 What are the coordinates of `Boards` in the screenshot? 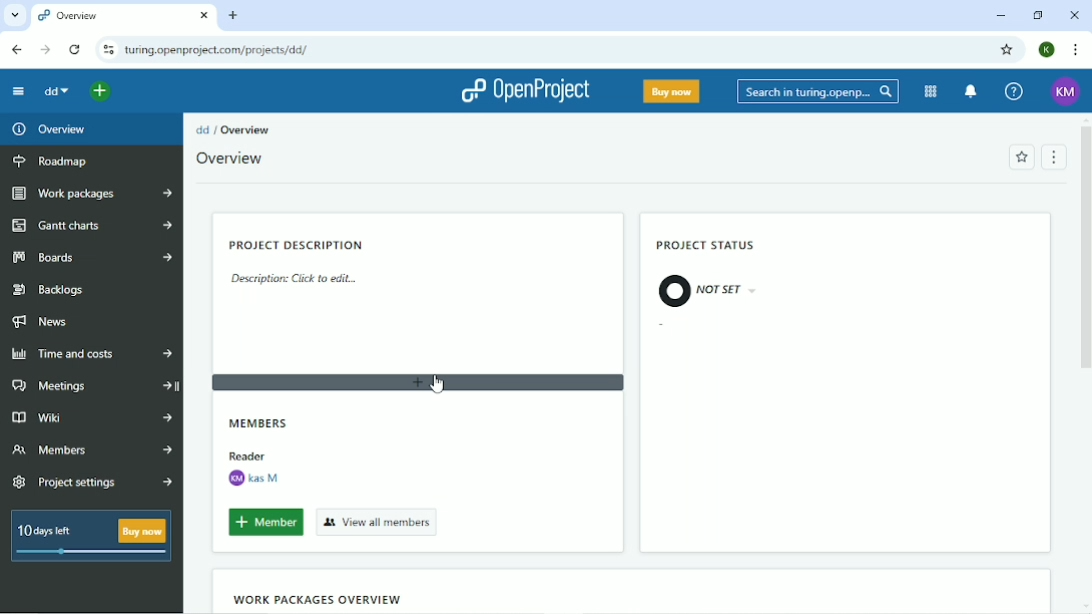 It's located at (93, 258).